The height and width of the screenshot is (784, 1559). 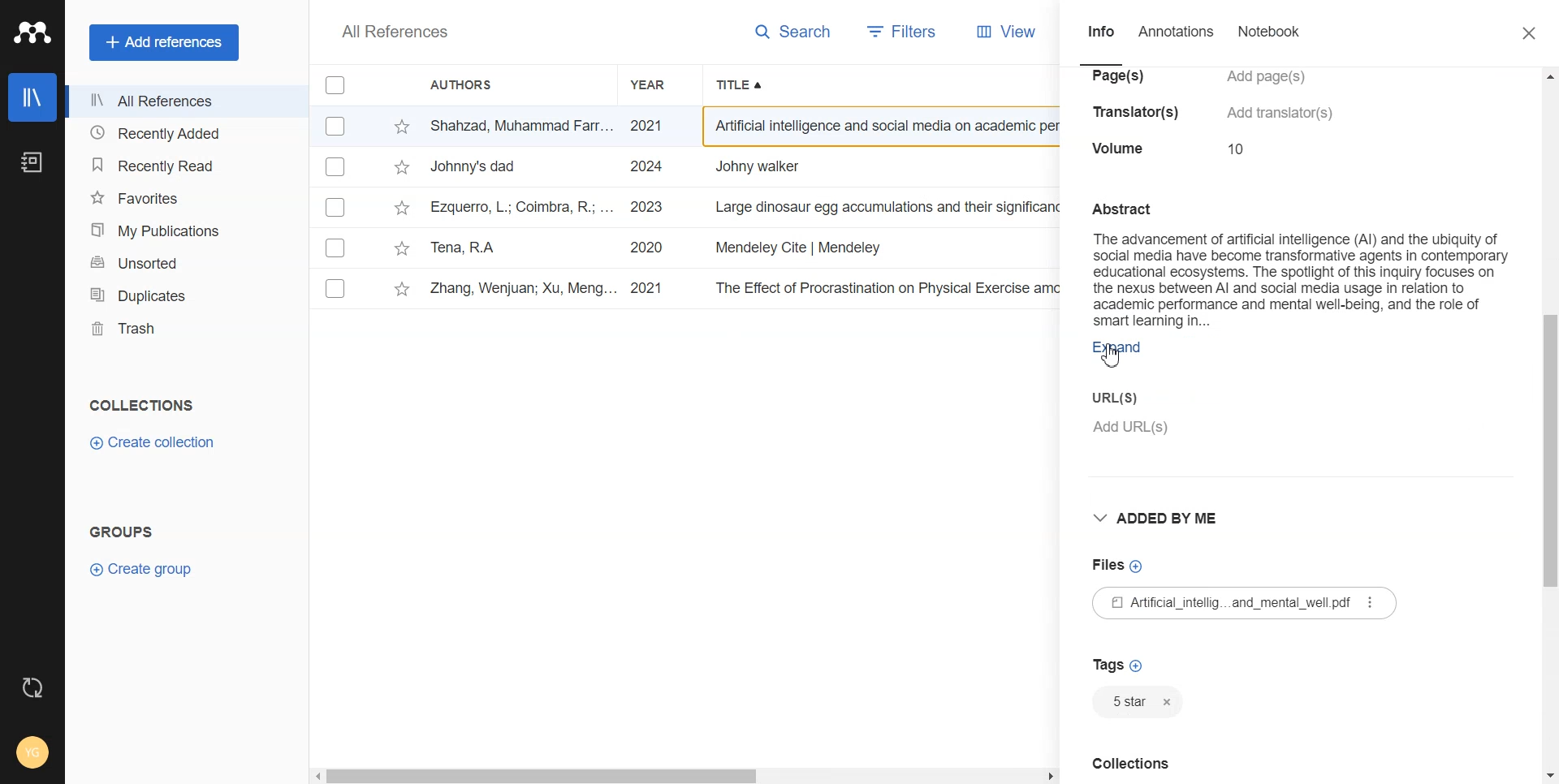 What do you see at coordinates (471, 86) in the screenshot?
I see `Authors` at bounding box center [471, 86].